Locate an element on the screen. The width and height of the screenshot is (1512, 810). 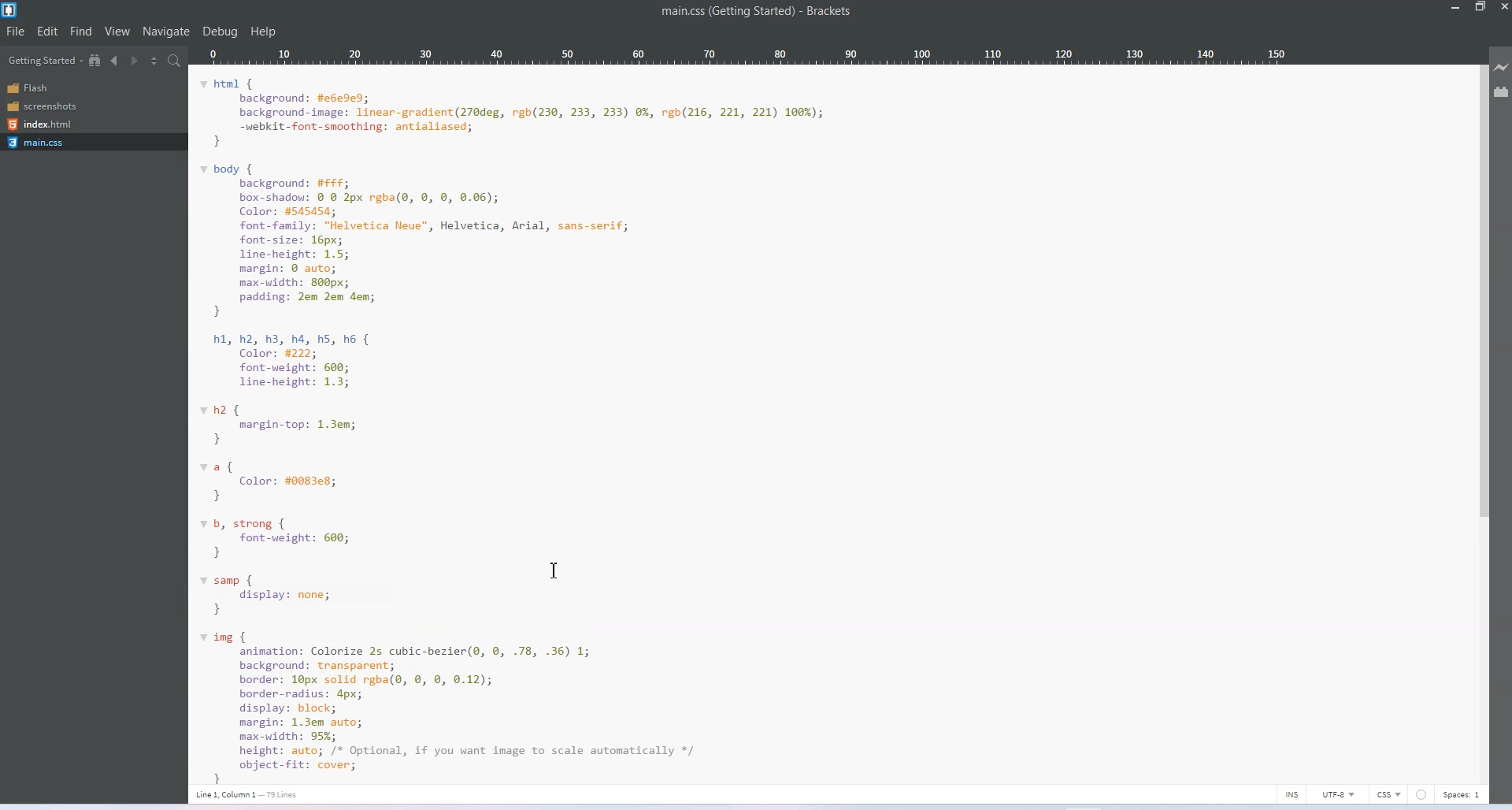
Spaces 1 is located at coordinates (1464, 795).